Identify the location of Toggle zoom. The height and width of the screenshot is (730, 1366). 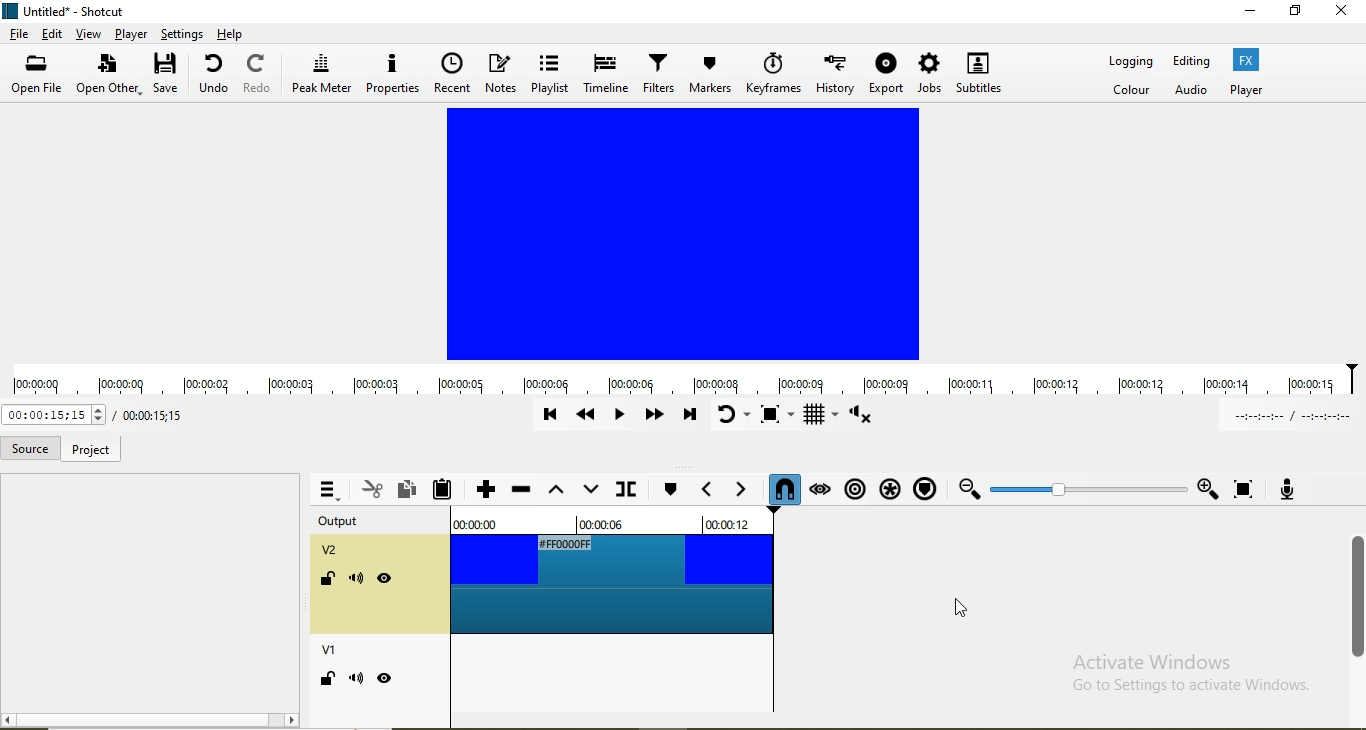
(780, 416).